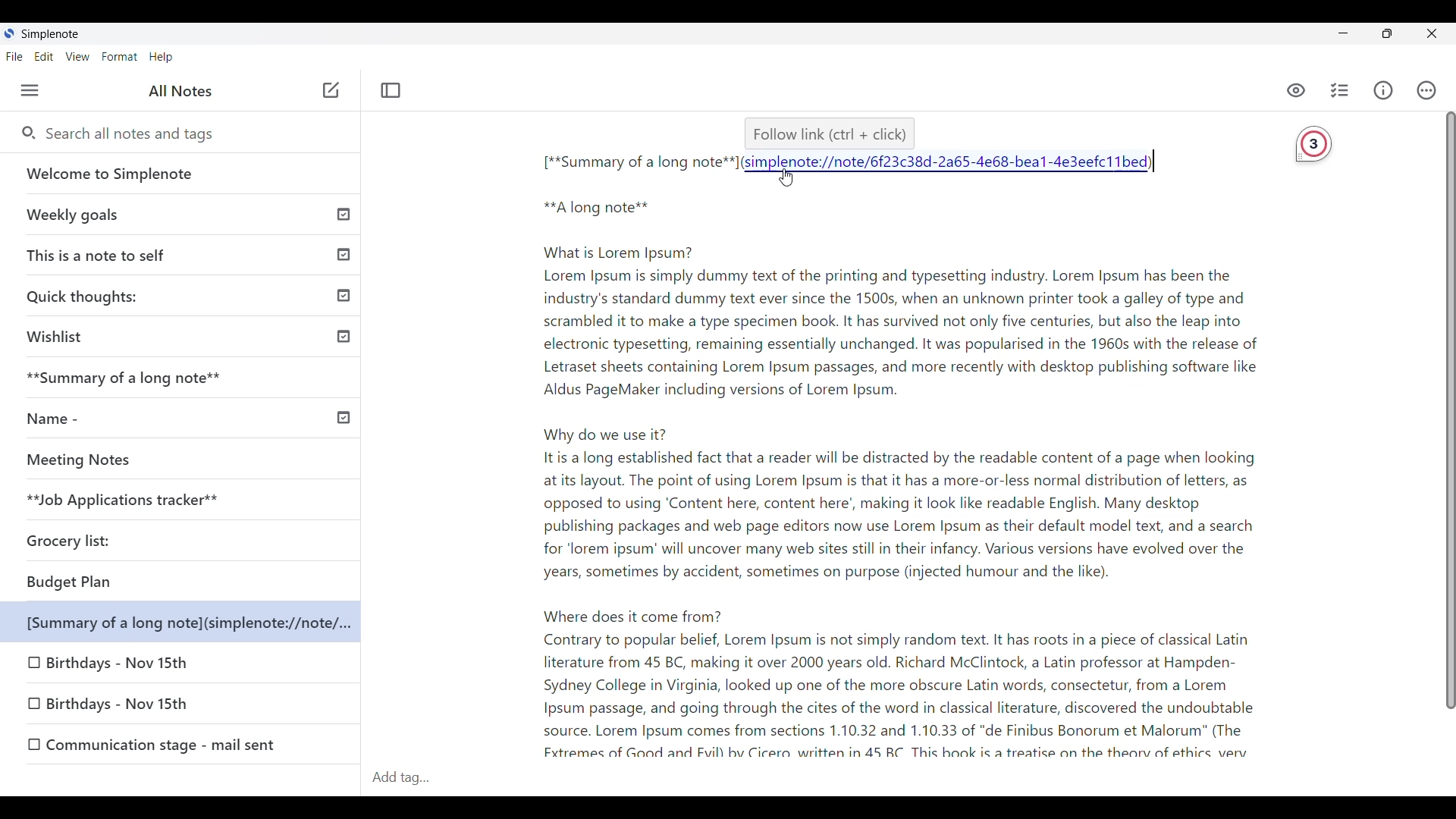 This screenshot has width=1456, height=819. What do you see at coordinates (1427, 90) in the screenshot?
I see `Actions` at bounding box center [1427, 90].